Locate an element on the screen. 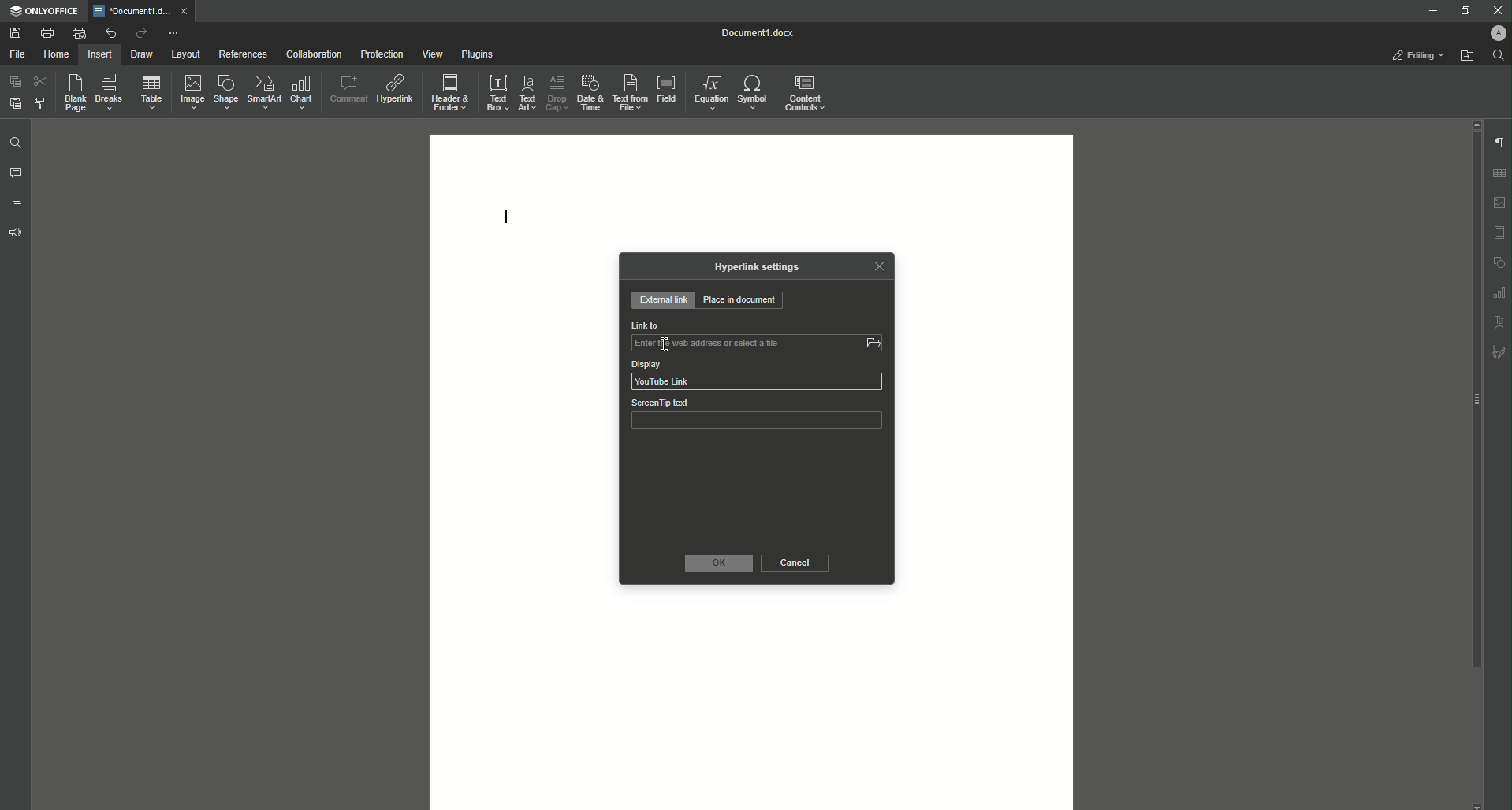 The height and width of the screenshot is (810, 1512). YouTube Link is located at coordinates (665, 382).